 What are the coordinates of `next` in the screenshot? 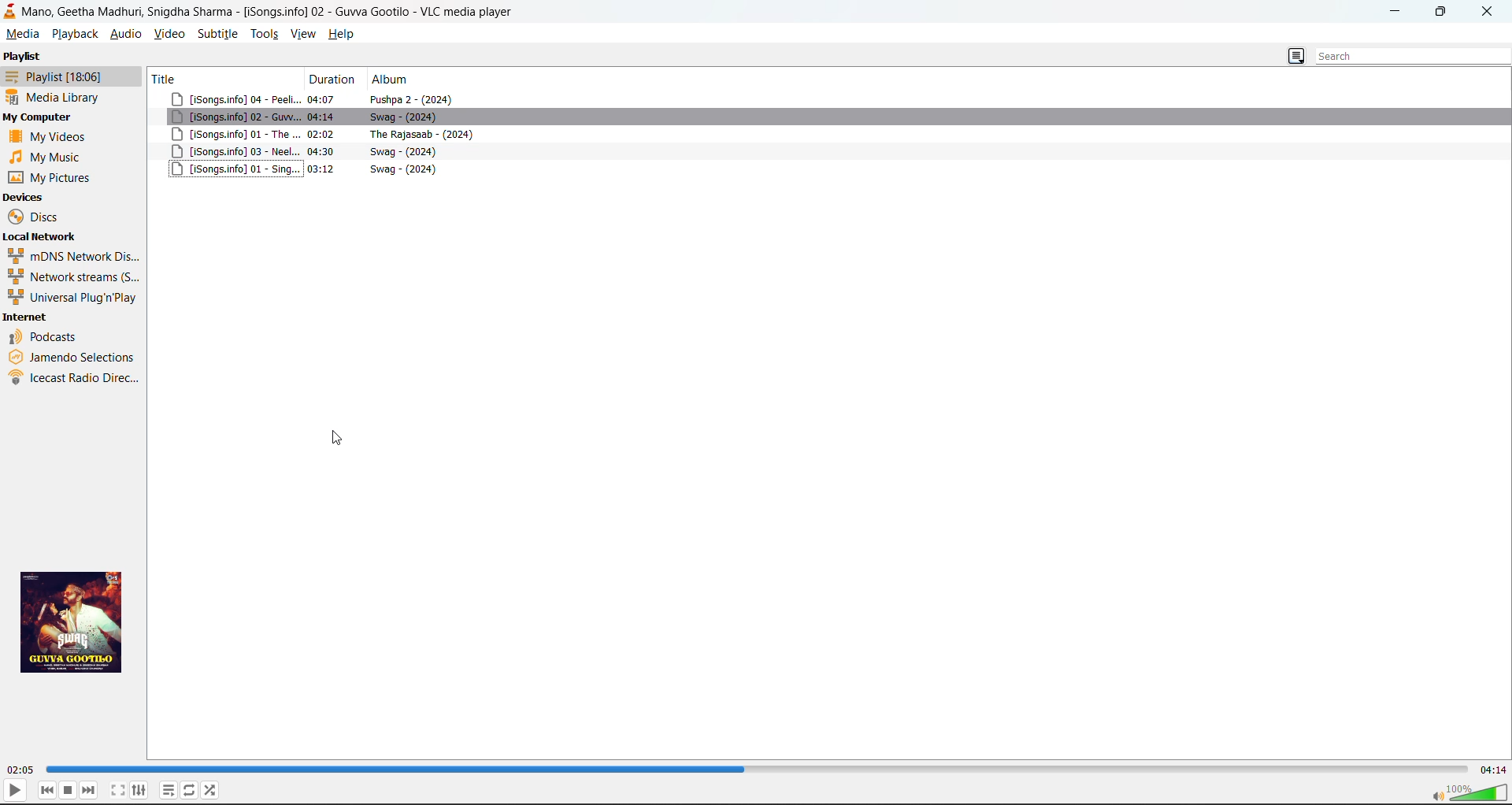 It's located at (89, 790).